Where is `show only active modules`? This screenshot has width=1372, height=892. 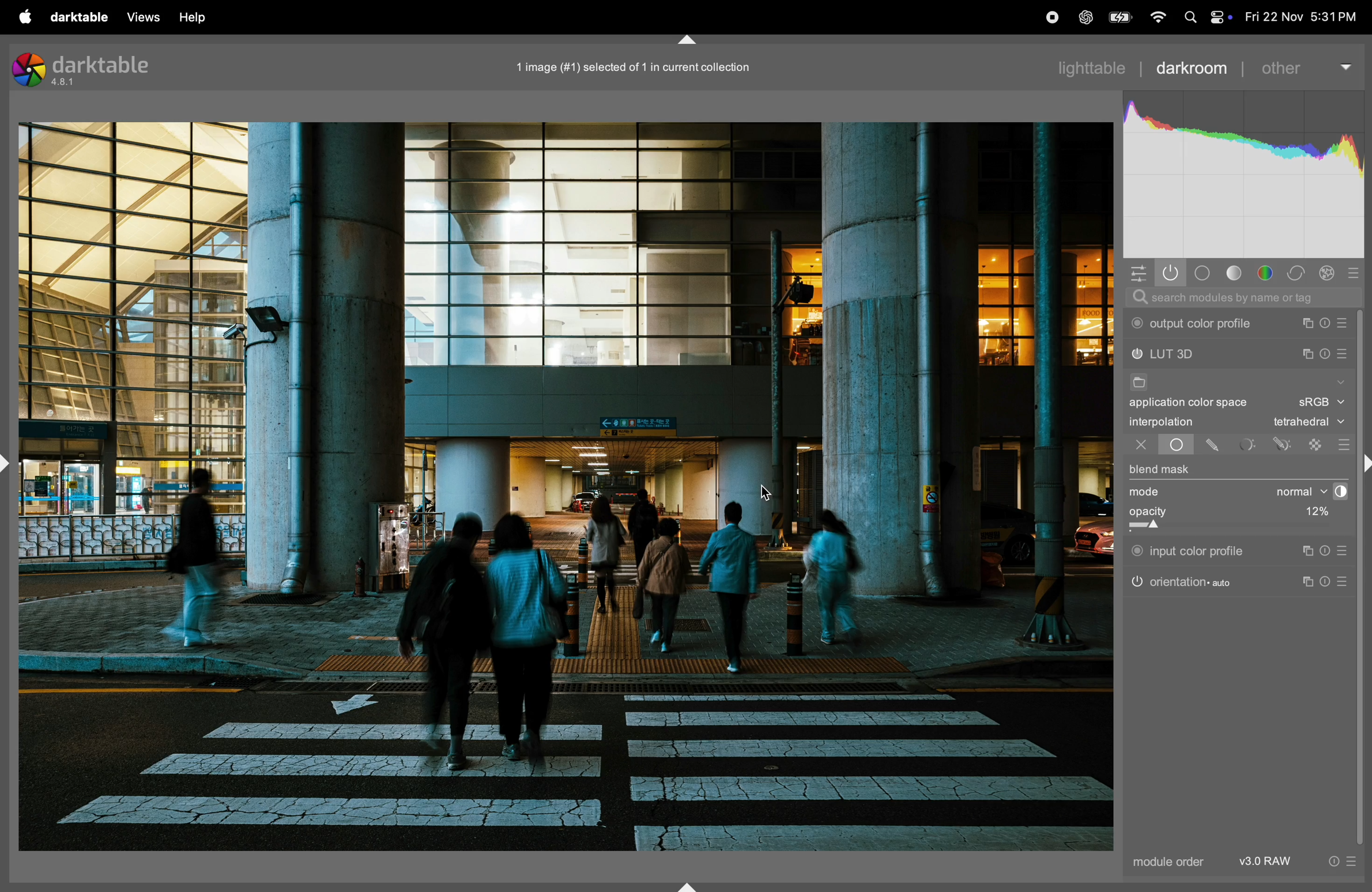
show only active modules is located at coordinates (1171, 273).